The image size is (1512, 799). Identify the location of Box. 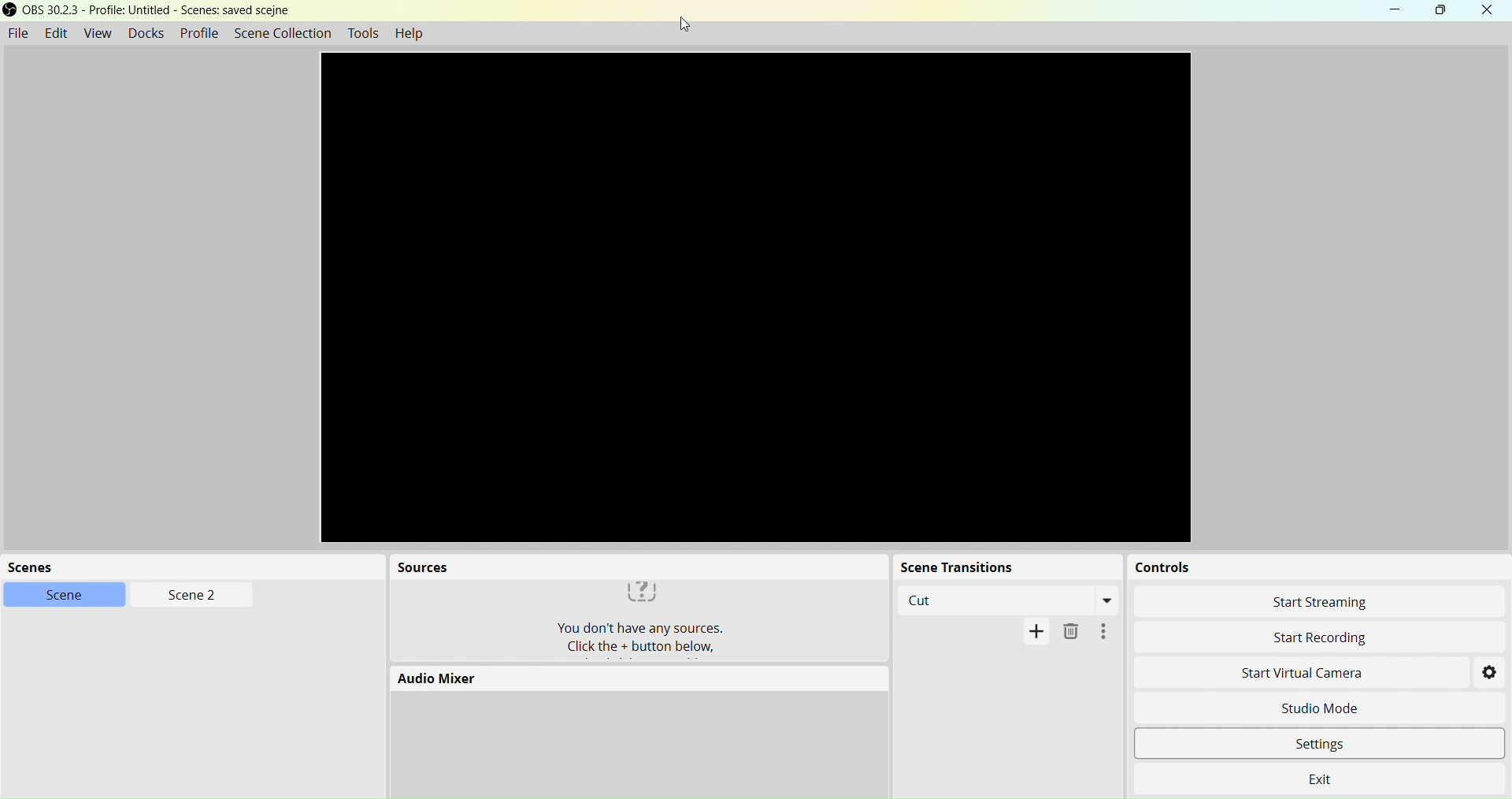
(1443, 11).